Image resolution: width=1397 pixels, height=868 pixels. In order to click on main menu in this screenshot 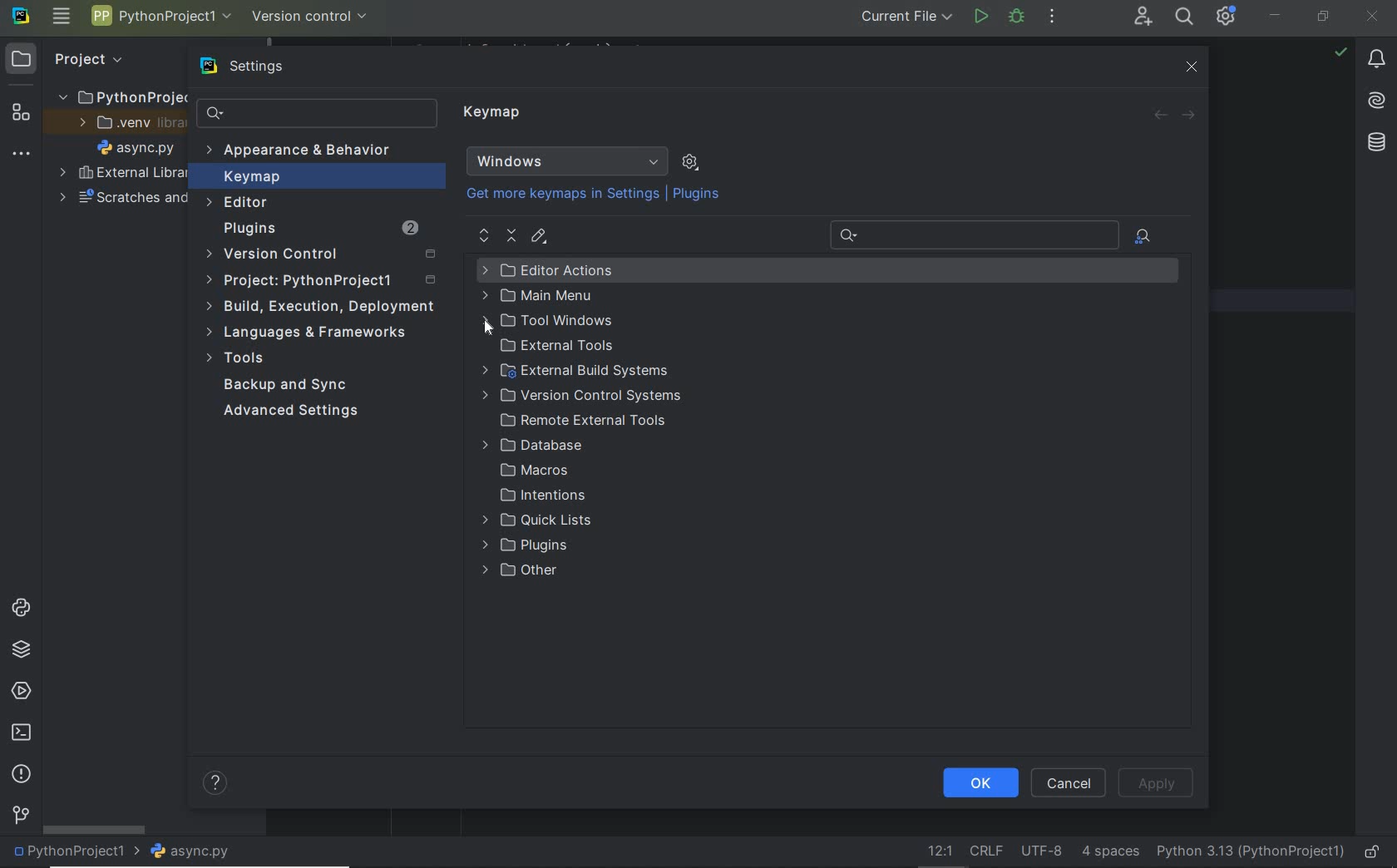, I will do `click(61, 17)`.